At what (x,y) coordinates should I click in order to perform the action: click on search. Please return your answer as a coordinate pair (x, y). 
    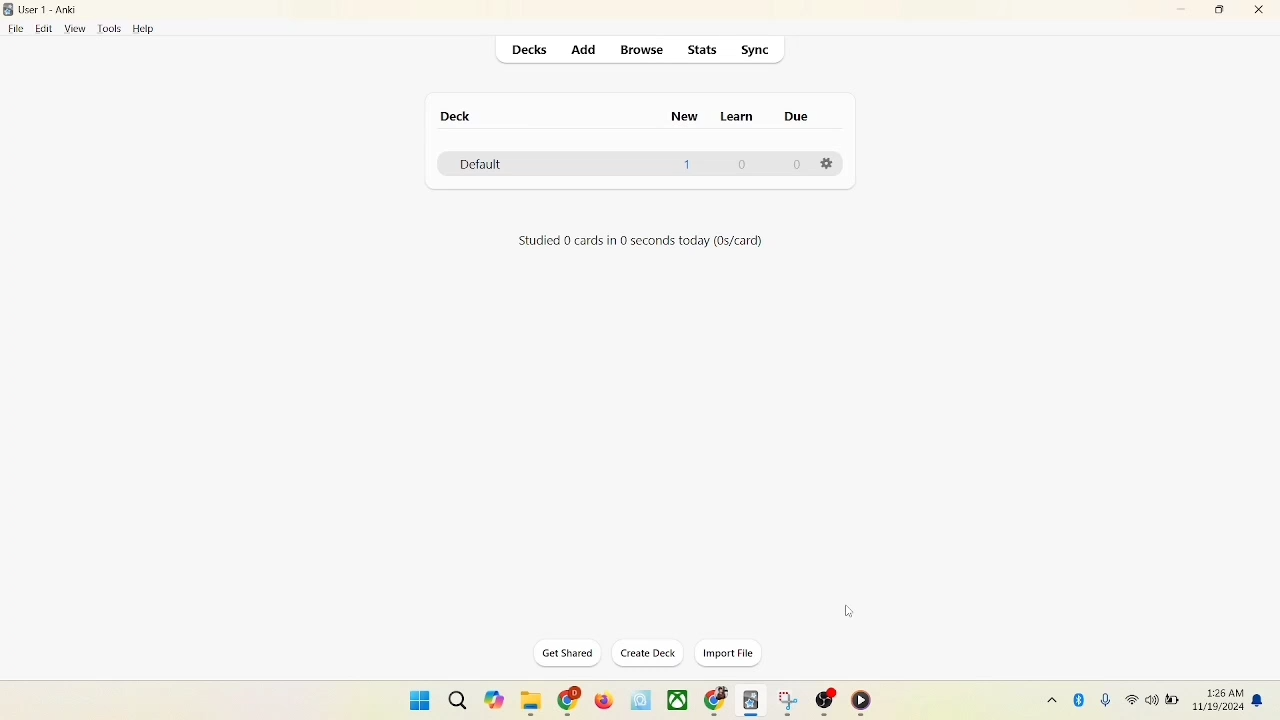
    Looking at the image, I should click on (456, 696).